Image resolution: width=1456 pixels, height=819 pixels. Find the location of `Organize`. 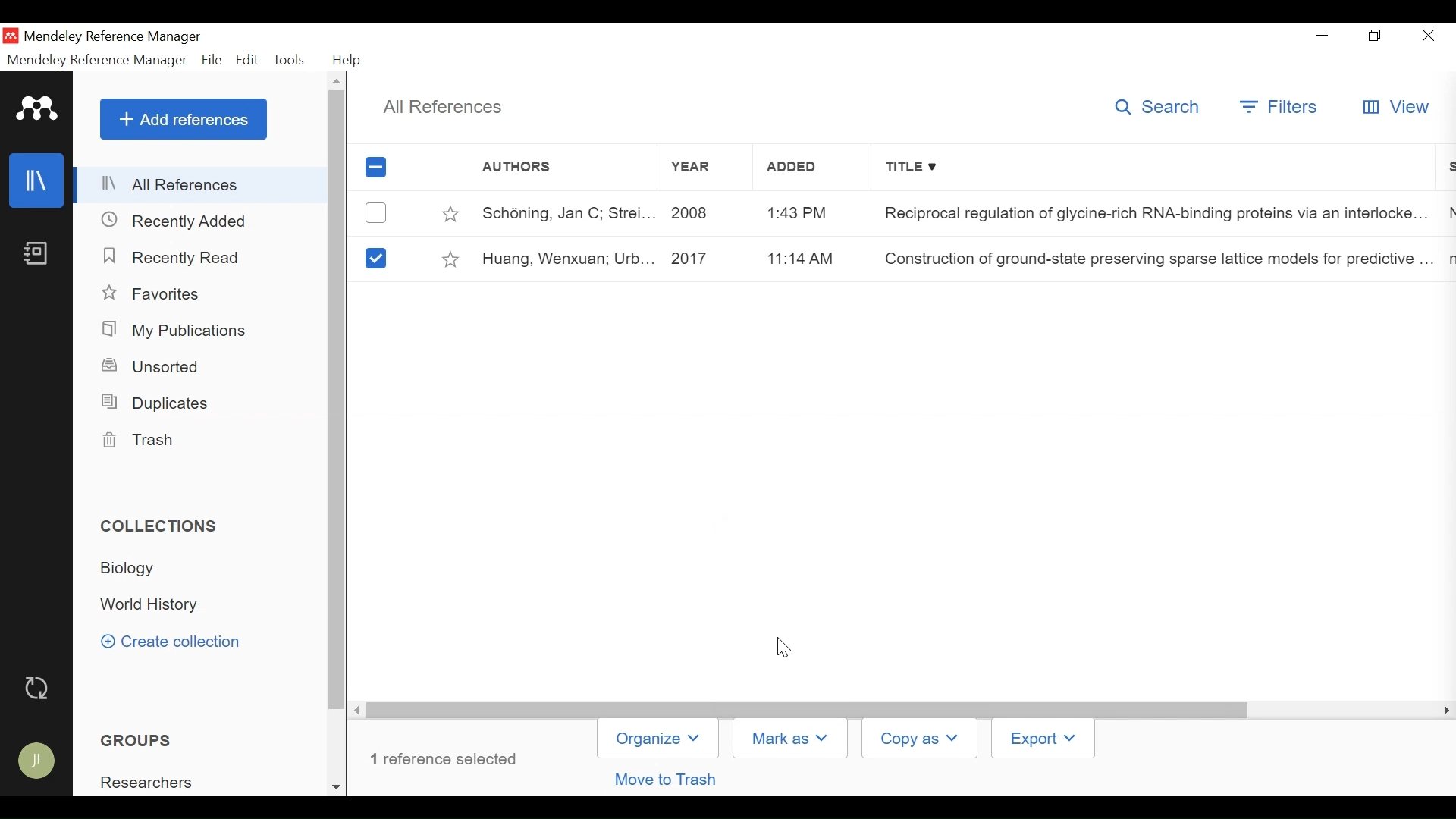

Organize is located at coordinates (658, 738).